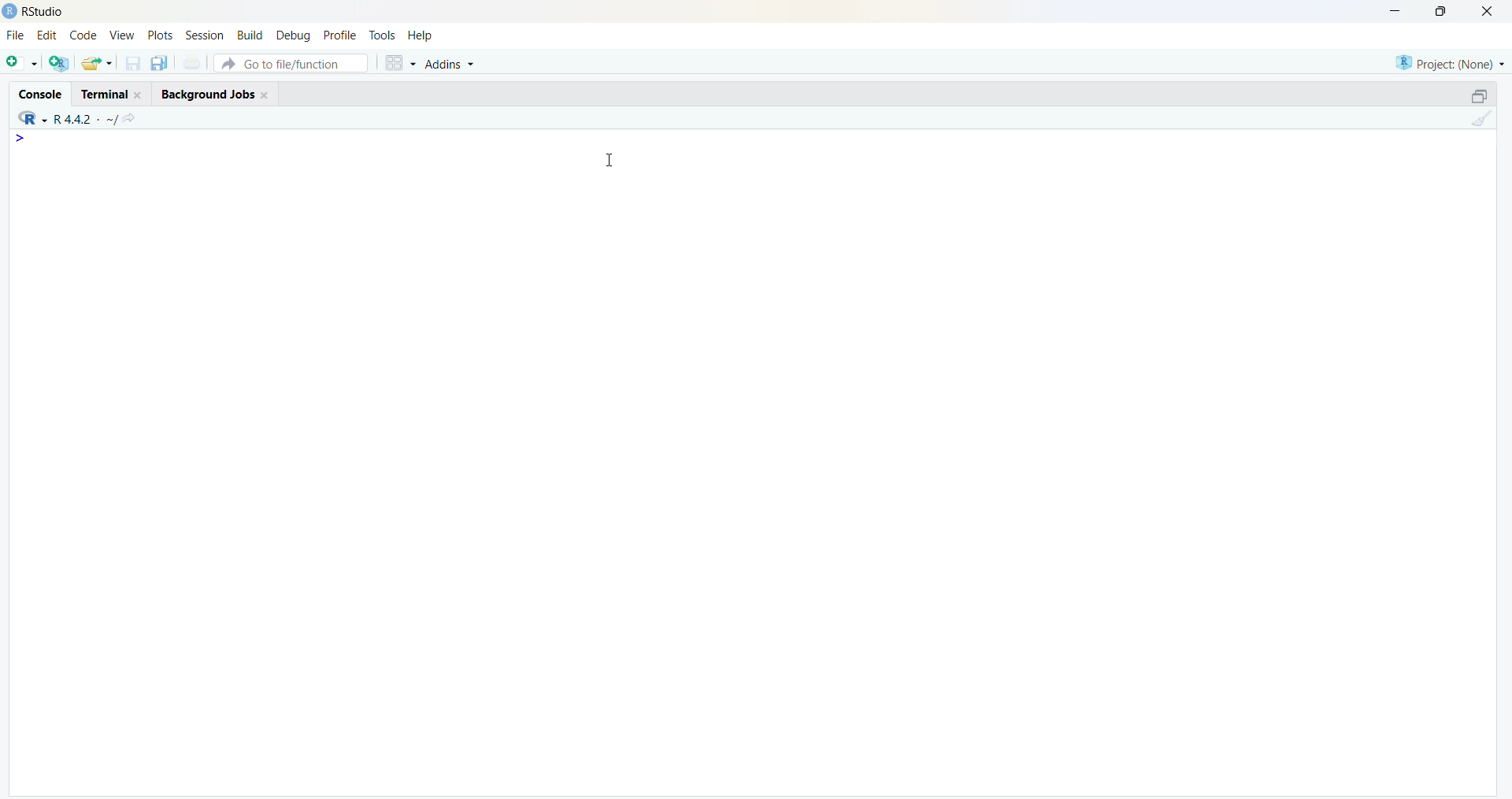  I want to click on >, so click(20, 139).